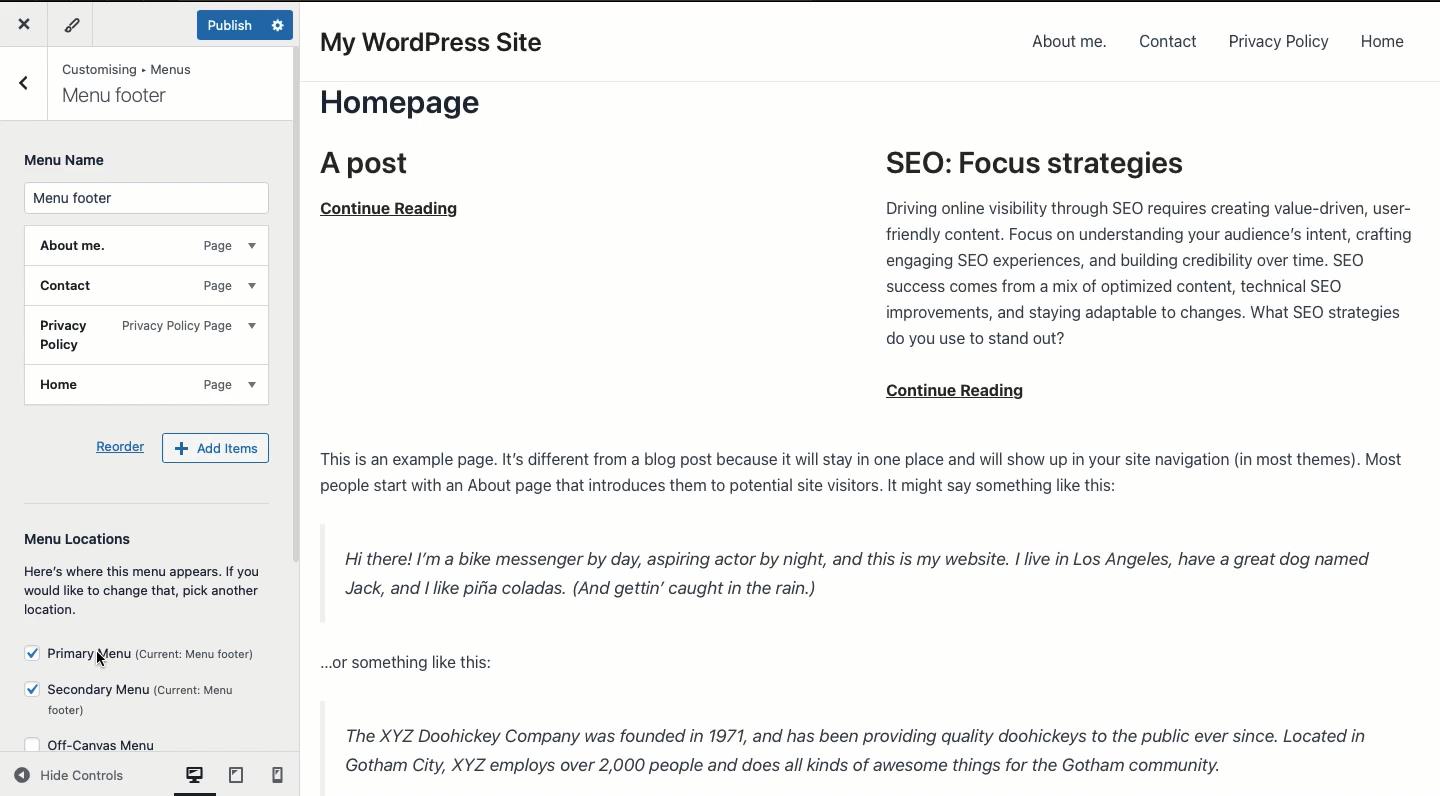 The height and width of the screenshot is (796, 1440). Describe the element at coordinates (102, 740) in the screenshot. I see `Off canvas menu` at that location.